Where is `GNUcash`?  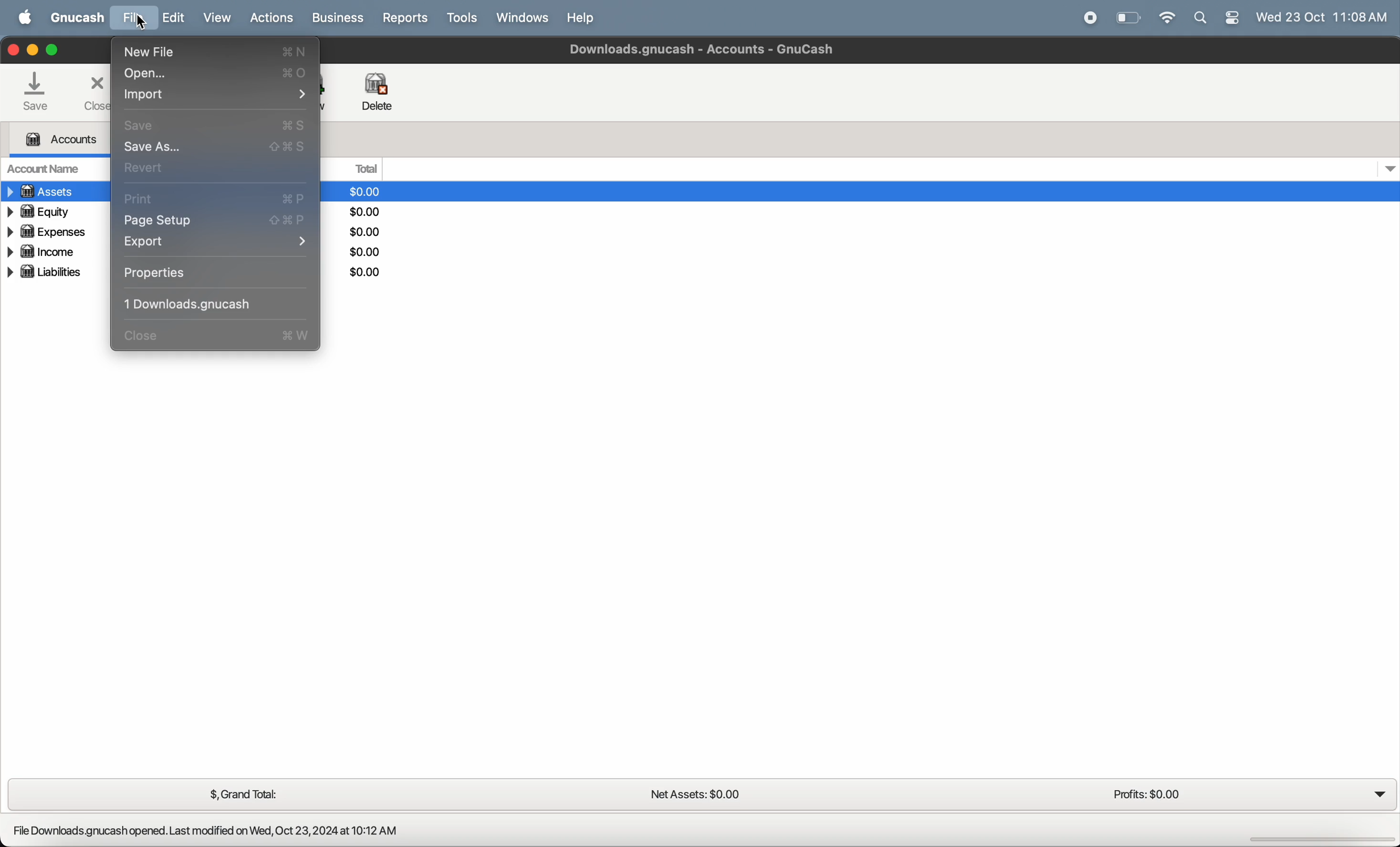 GNUcash is located at coordinates (72, 19).